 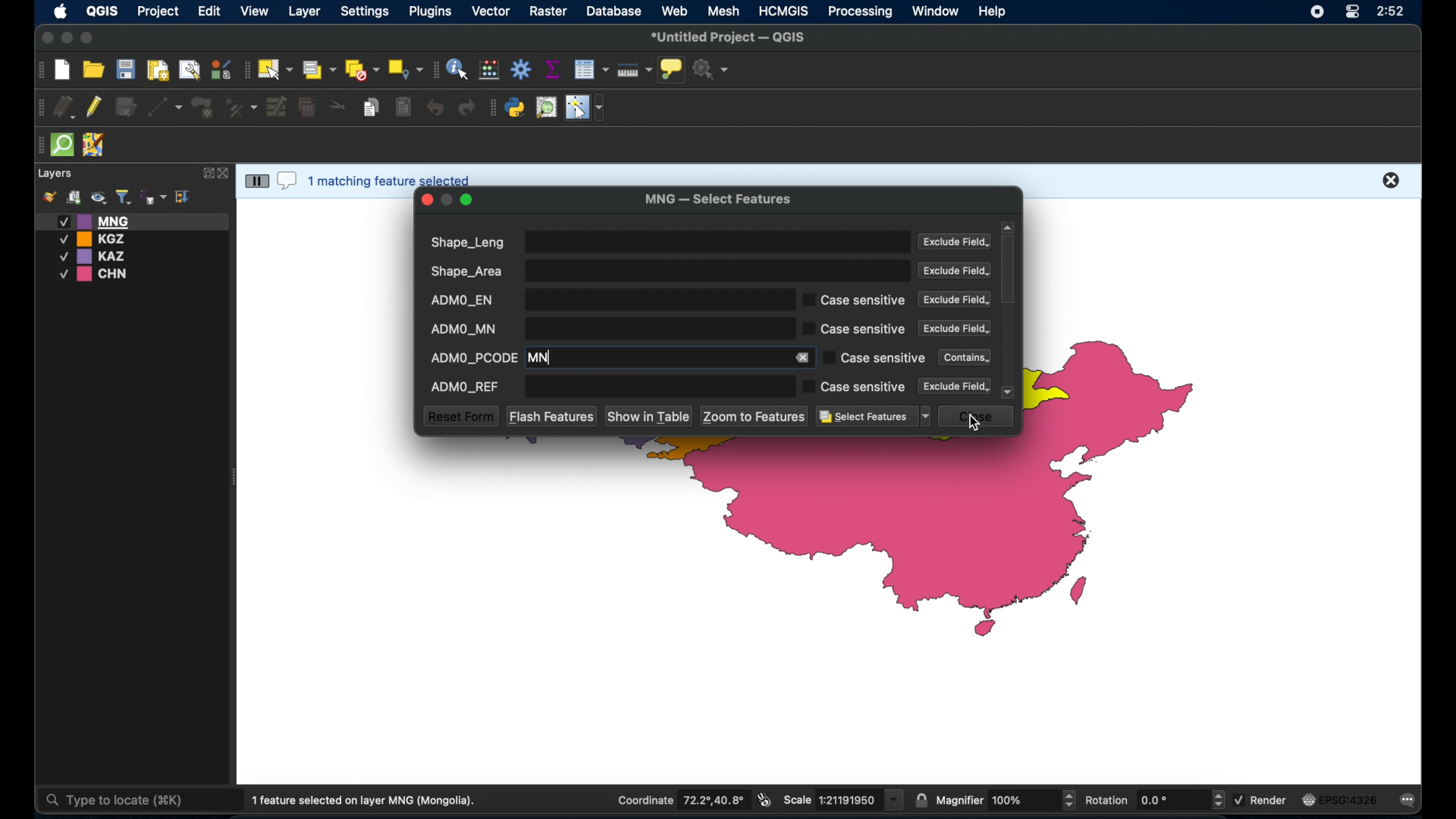 I want to click on style manager, so click(x=221, y=67).